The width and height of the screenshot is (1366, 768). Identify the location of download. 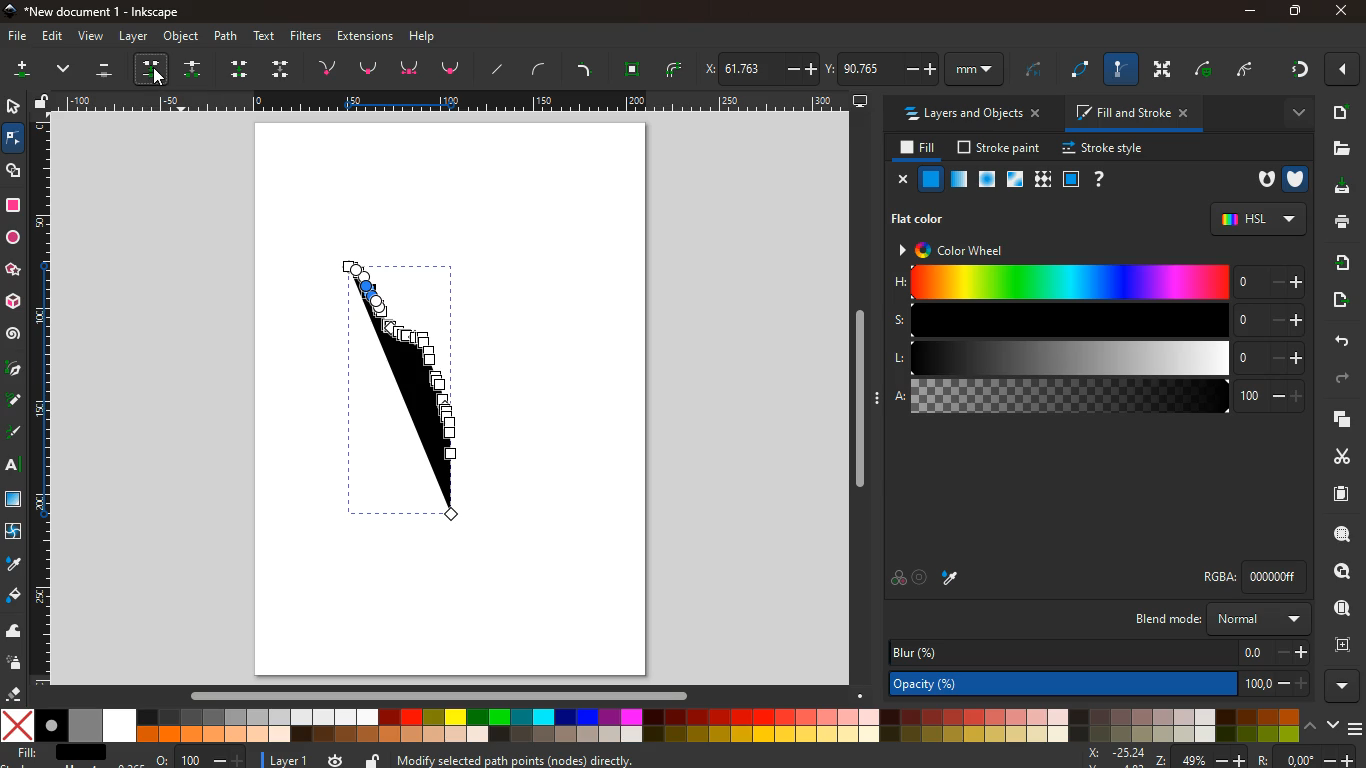
(1339, 189).